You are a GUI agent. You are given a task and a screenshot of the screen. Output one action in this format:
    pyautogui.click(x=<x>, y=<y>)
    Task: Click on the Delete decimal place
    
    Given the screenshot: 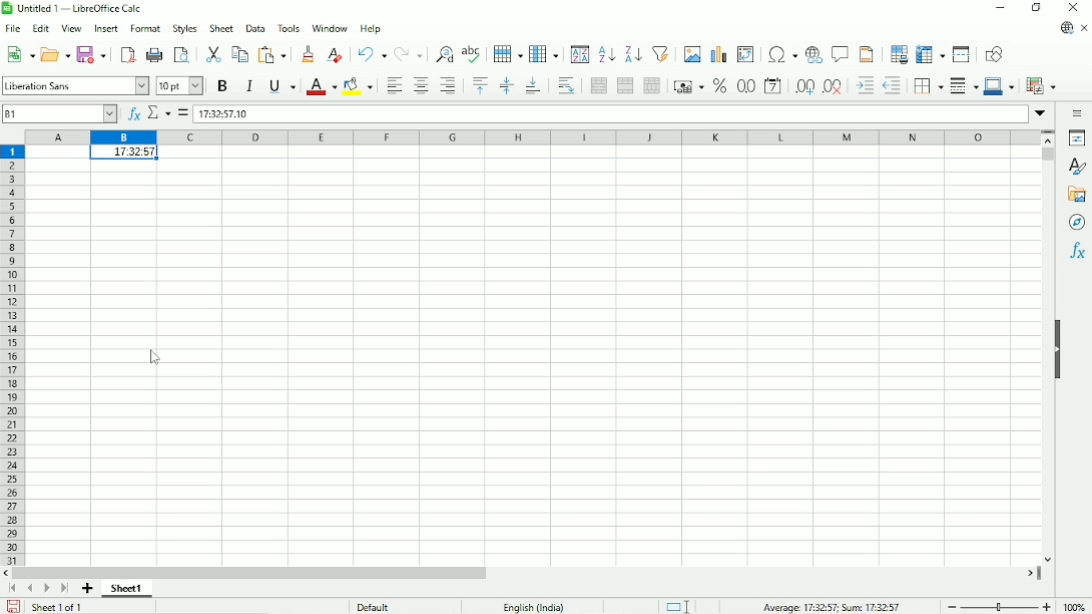 What is the action you would take?
    pyautogui.click(x=833, y=86)
    